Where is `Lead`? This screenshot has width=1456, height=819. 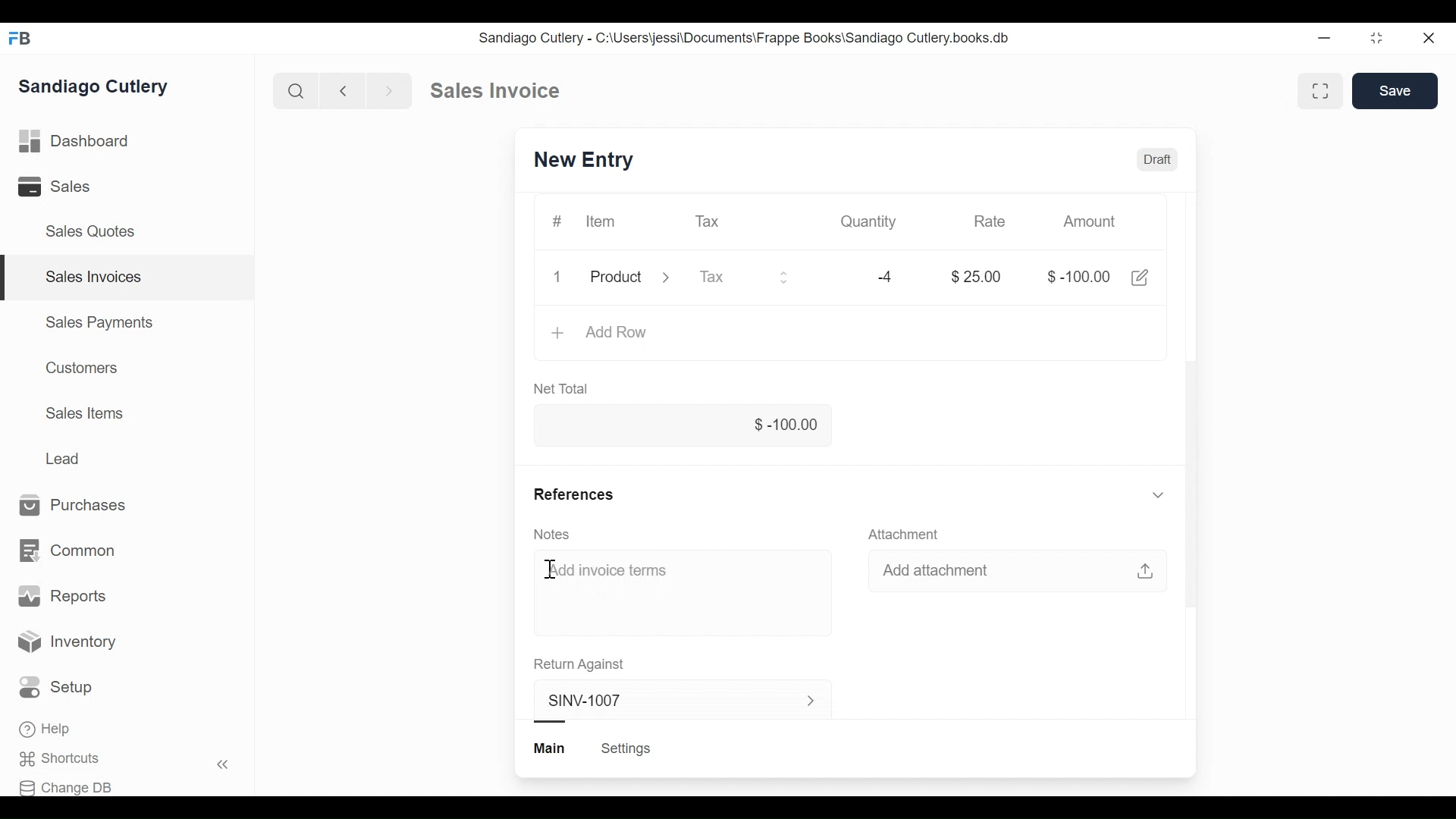 Lead is located at coordinates (64, 457).